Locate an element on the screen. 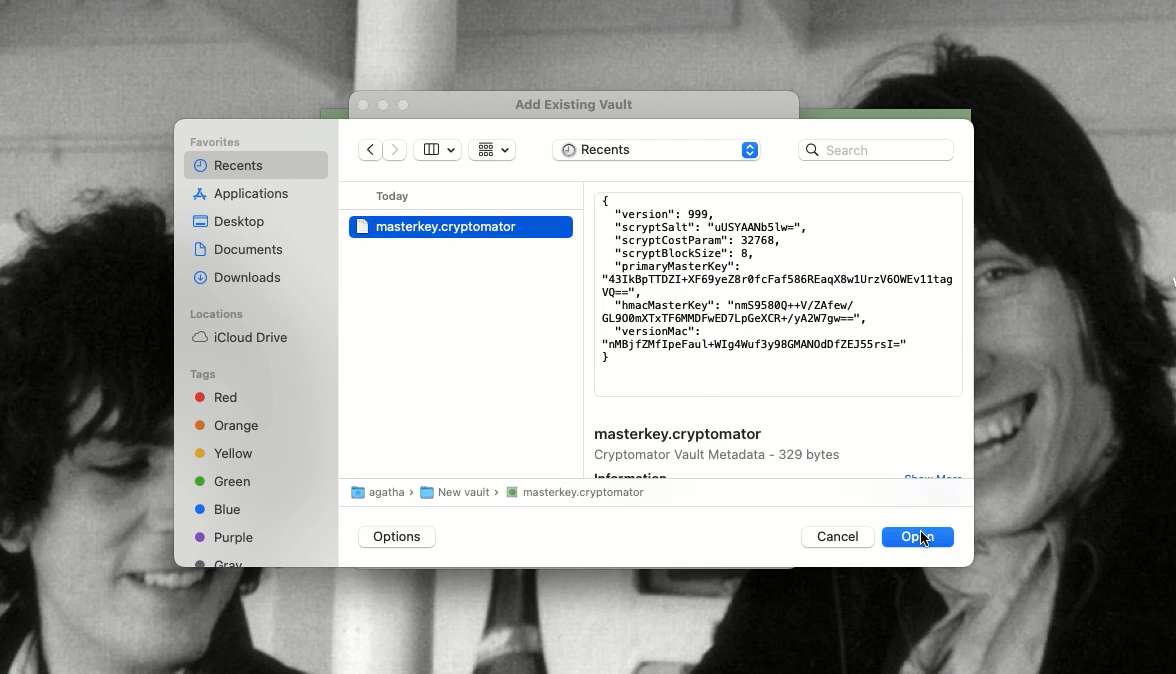 The width and height of the screenshot is (1176, 674). {80 agatha > [8 New vault > I masterkey.cryptomator is located at coordinates (503, 495).